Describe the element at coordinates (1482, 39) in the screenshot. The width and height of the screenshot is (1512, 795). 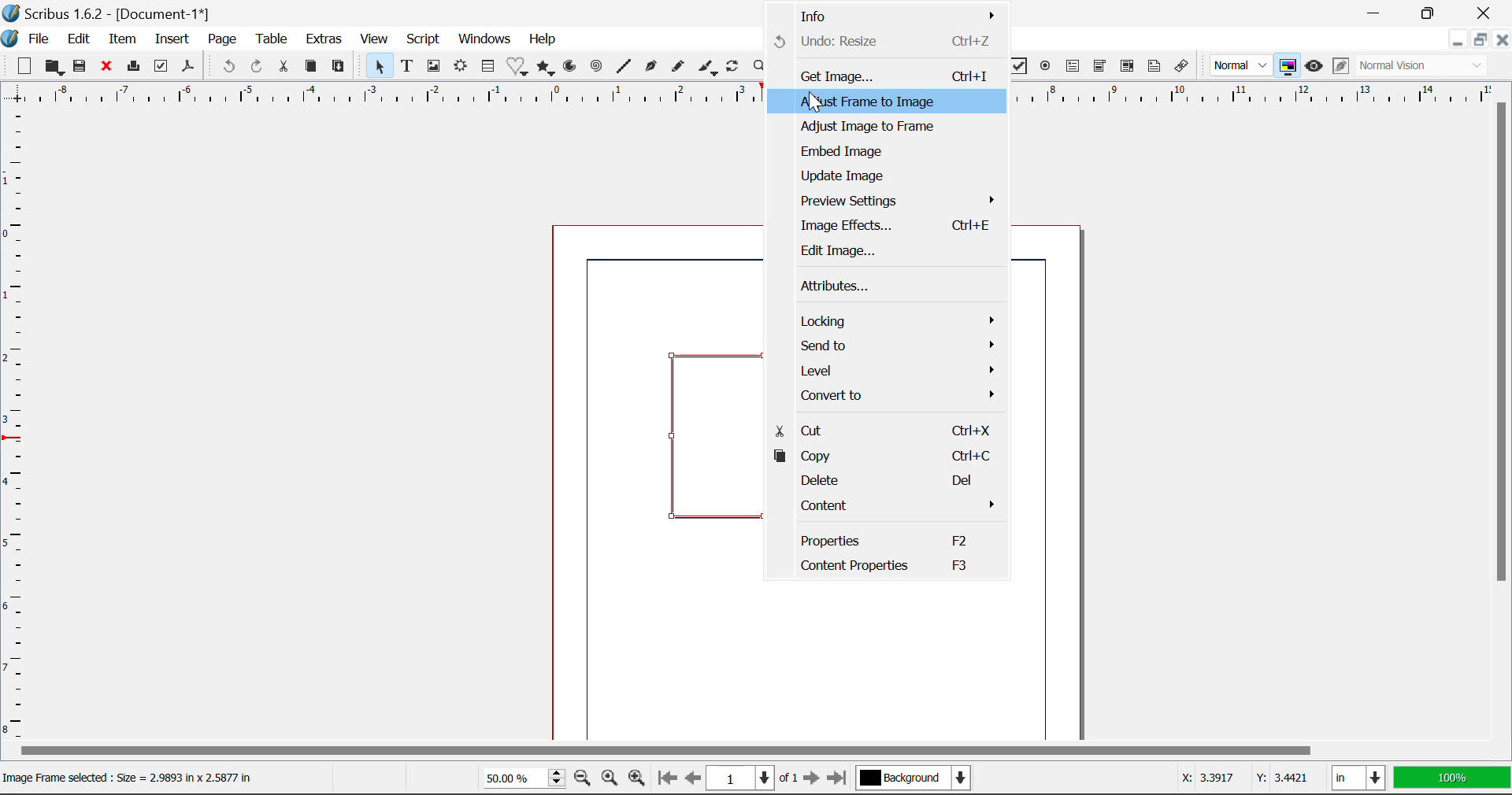
I see `Minimize` at that location.